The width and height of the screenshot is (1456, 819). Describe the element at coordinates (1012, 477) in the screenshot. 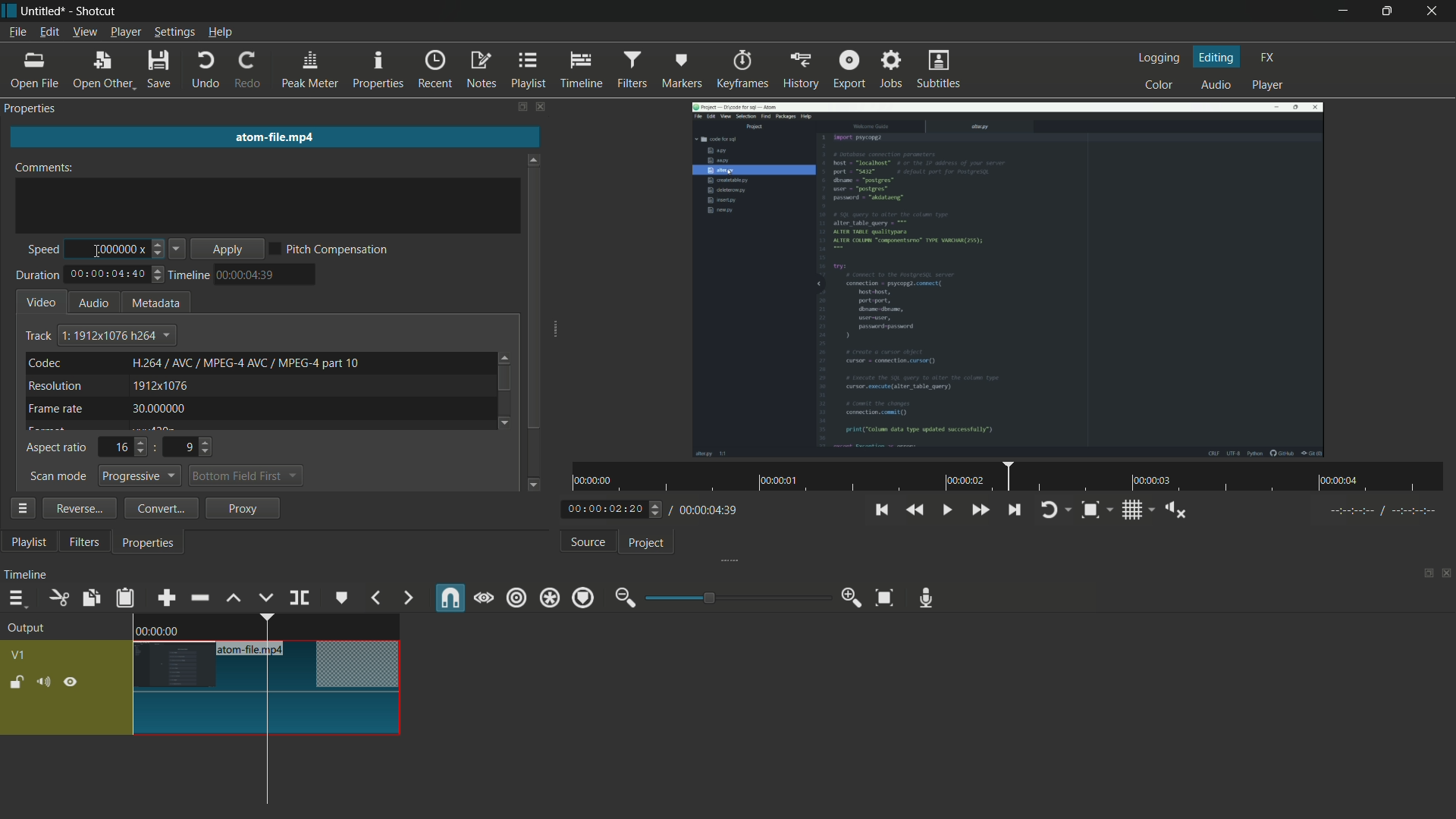

I see `time` at that location.